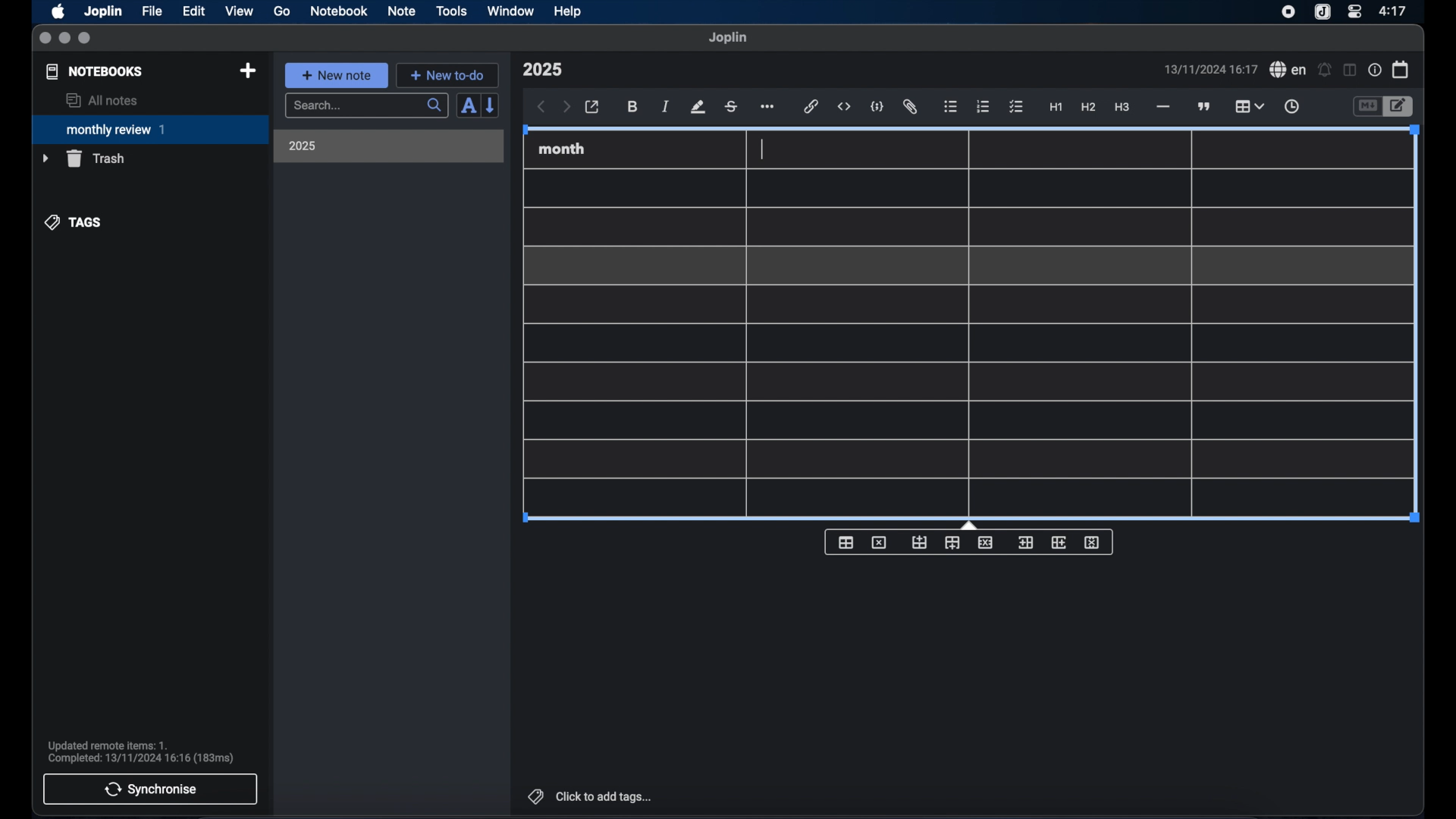 Image resolution: width=1456 pixels, height=819 pixels. I want to click on time, so click(1395, 11).